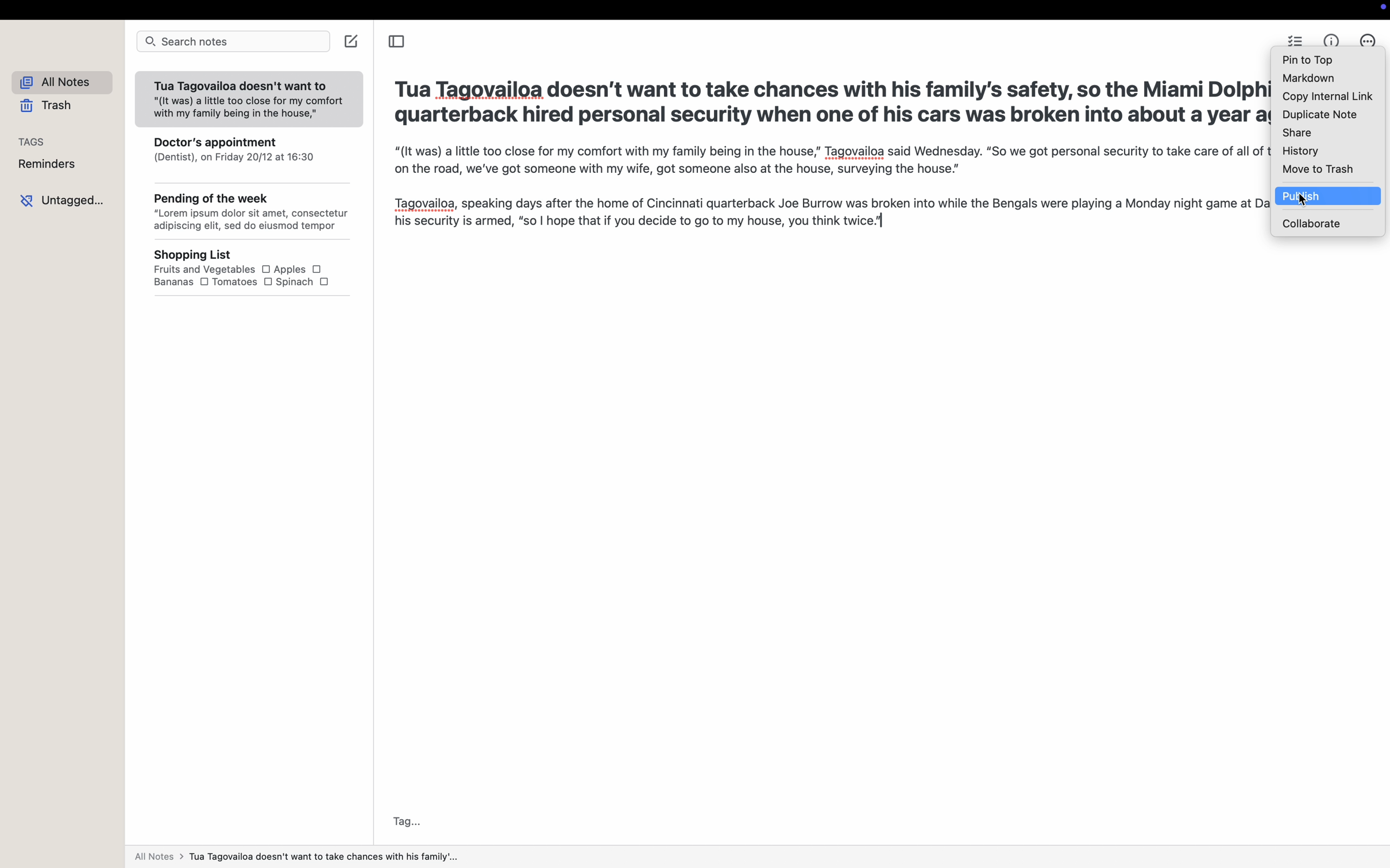 This screenshot has height=868, width=1390. What do you see at coordinates (1318, 170) in the screenshot?
I see `move to trash` at bounding box center [1318, 170].